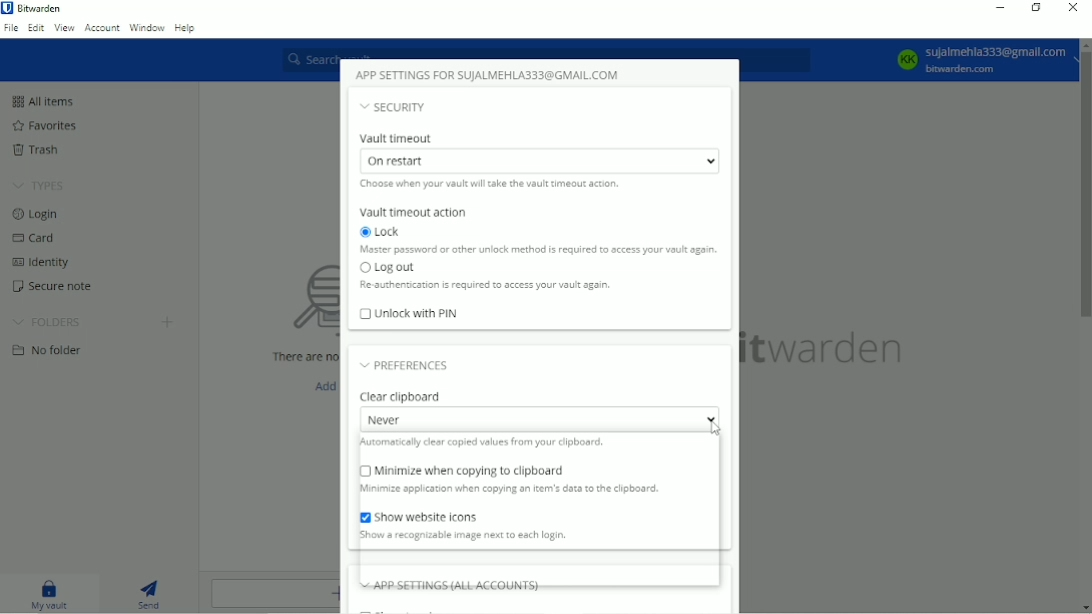 The image size is (1092, 614). I want to click on Choose when your vault will take the vault timeout action., so click(492, 189).